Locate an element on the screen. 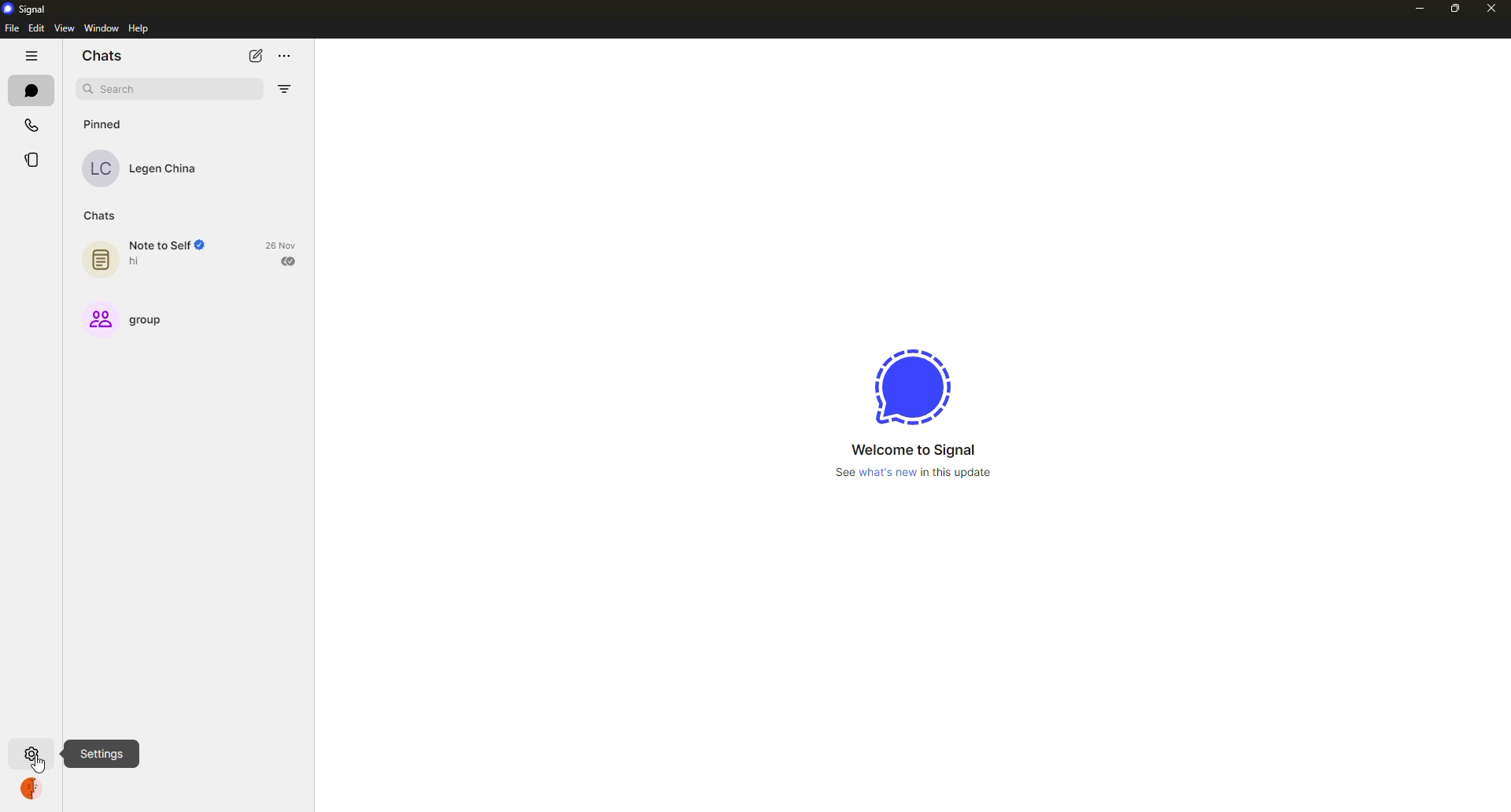 The image size is (1511, 812). Legen China is located at coordinates (164, 169).